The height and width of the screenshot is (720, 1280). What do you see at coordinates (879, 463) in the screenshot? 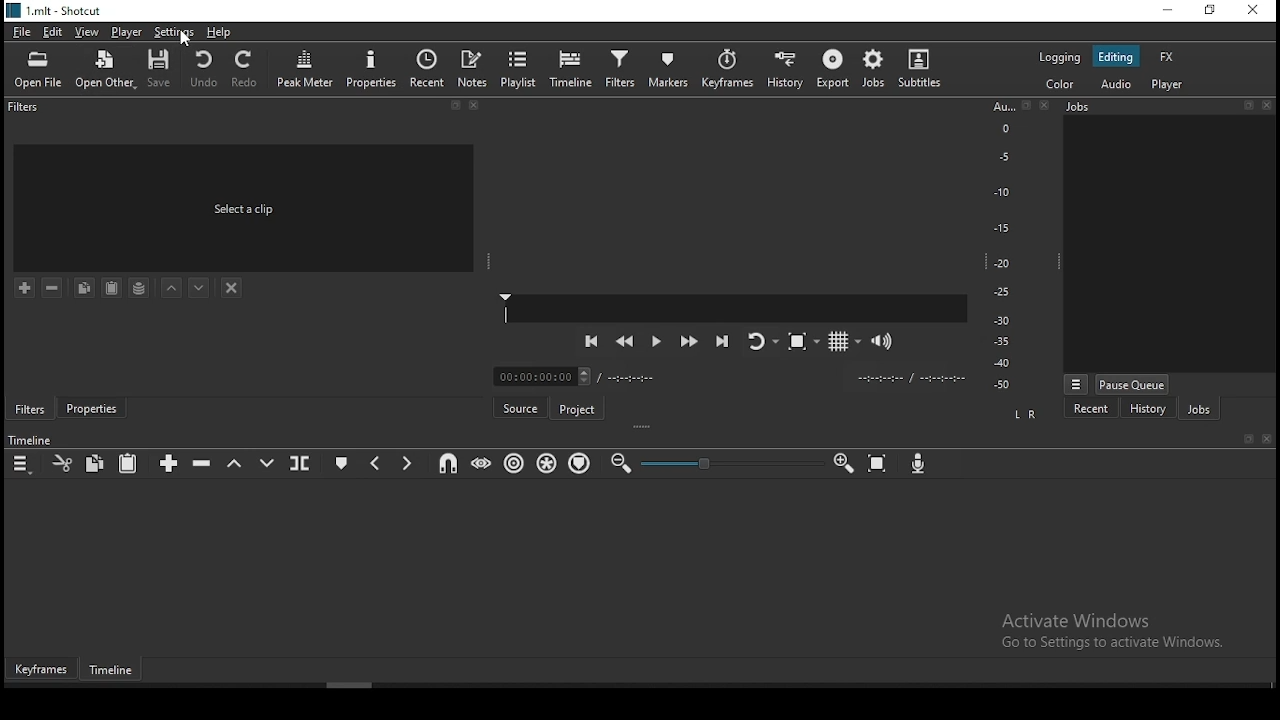
I see `zoom timeline to fit` at bounding box center [879, 463].